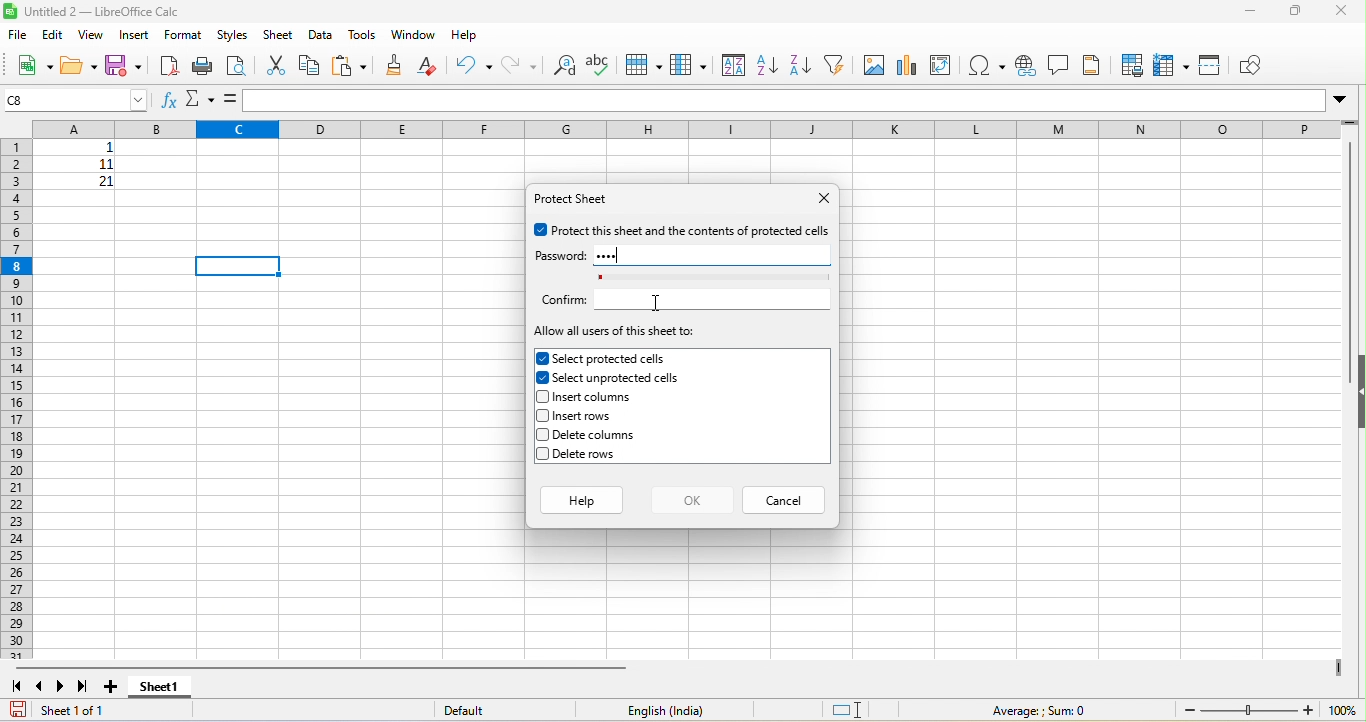  I want to click on split window, so click(1211, 67).